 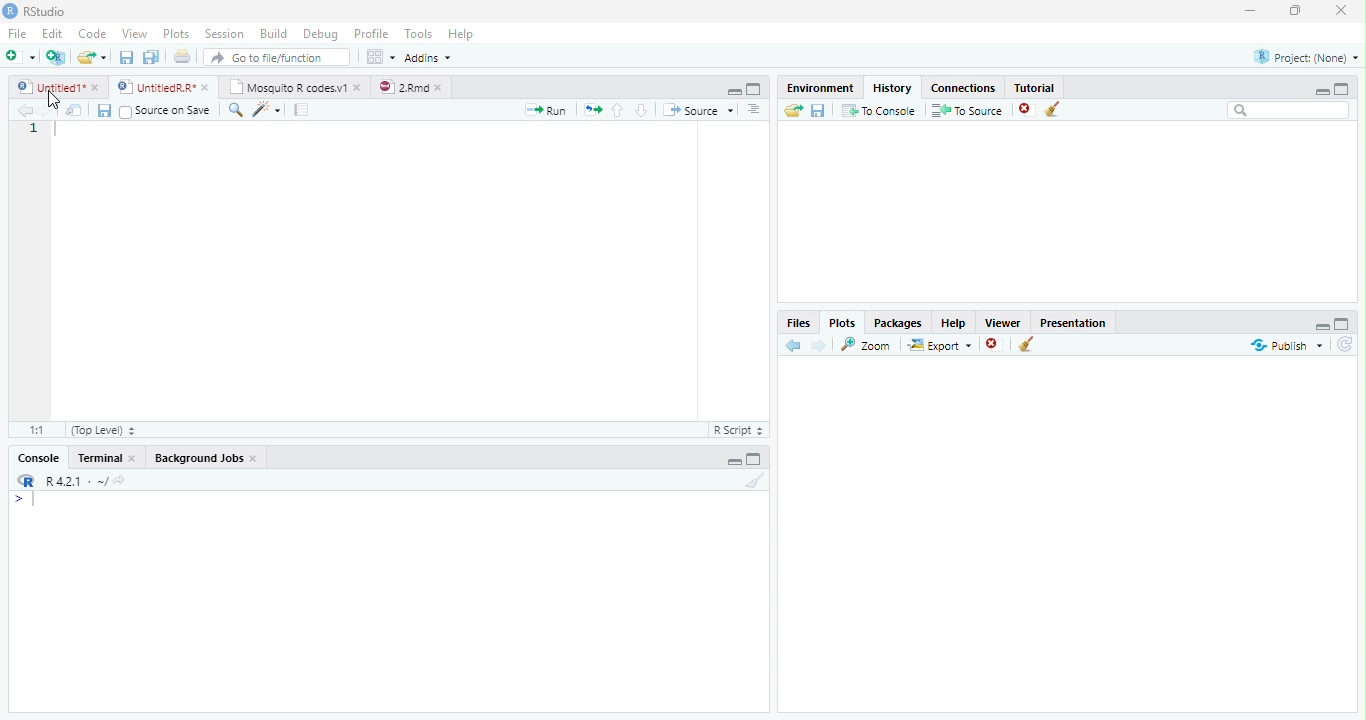 I want to click on Compile Report, so click(x=303, y=109).